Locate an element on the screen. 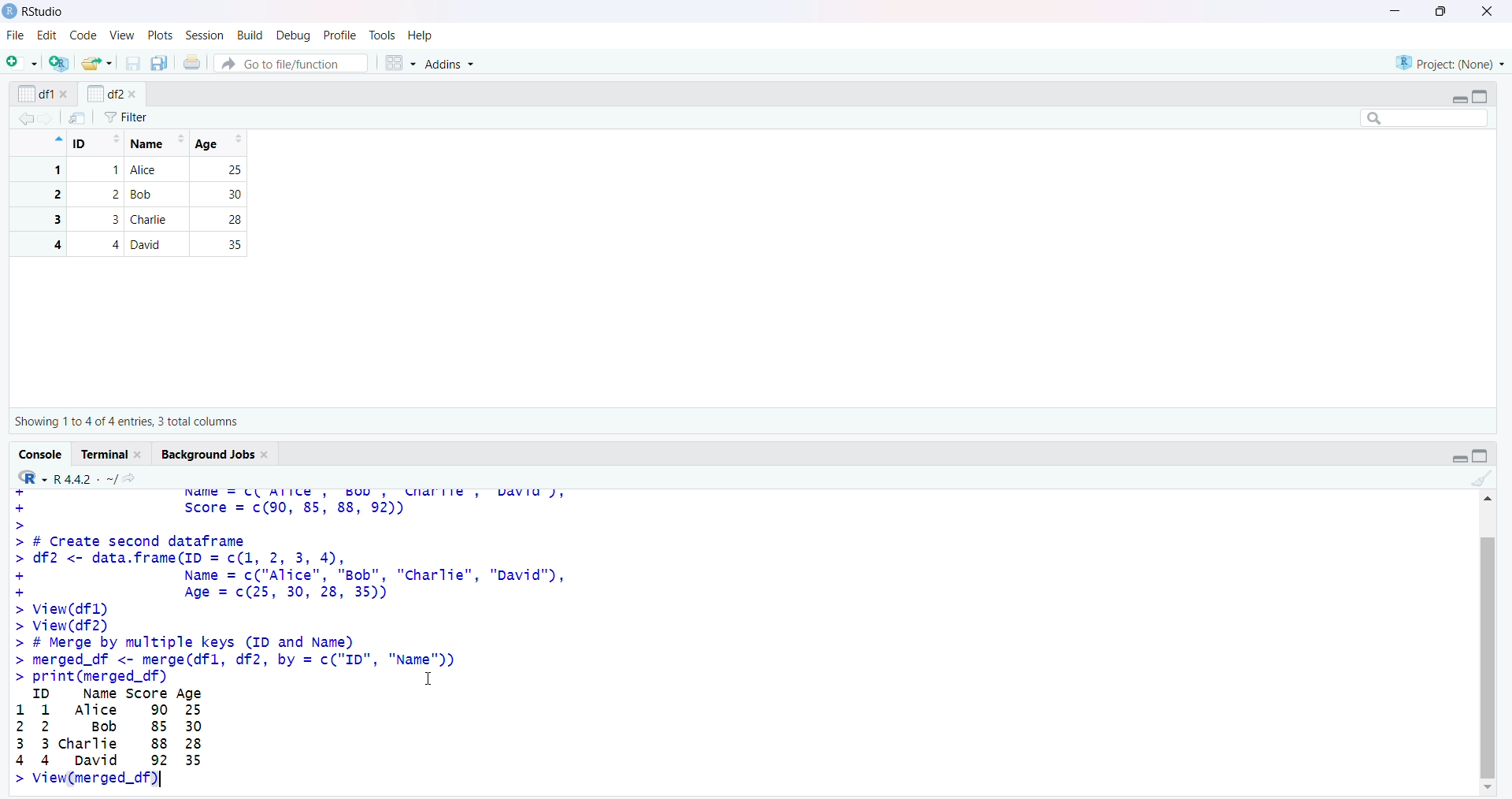 The image size is (1512, 799). forward is located at coordinates (47, 119).